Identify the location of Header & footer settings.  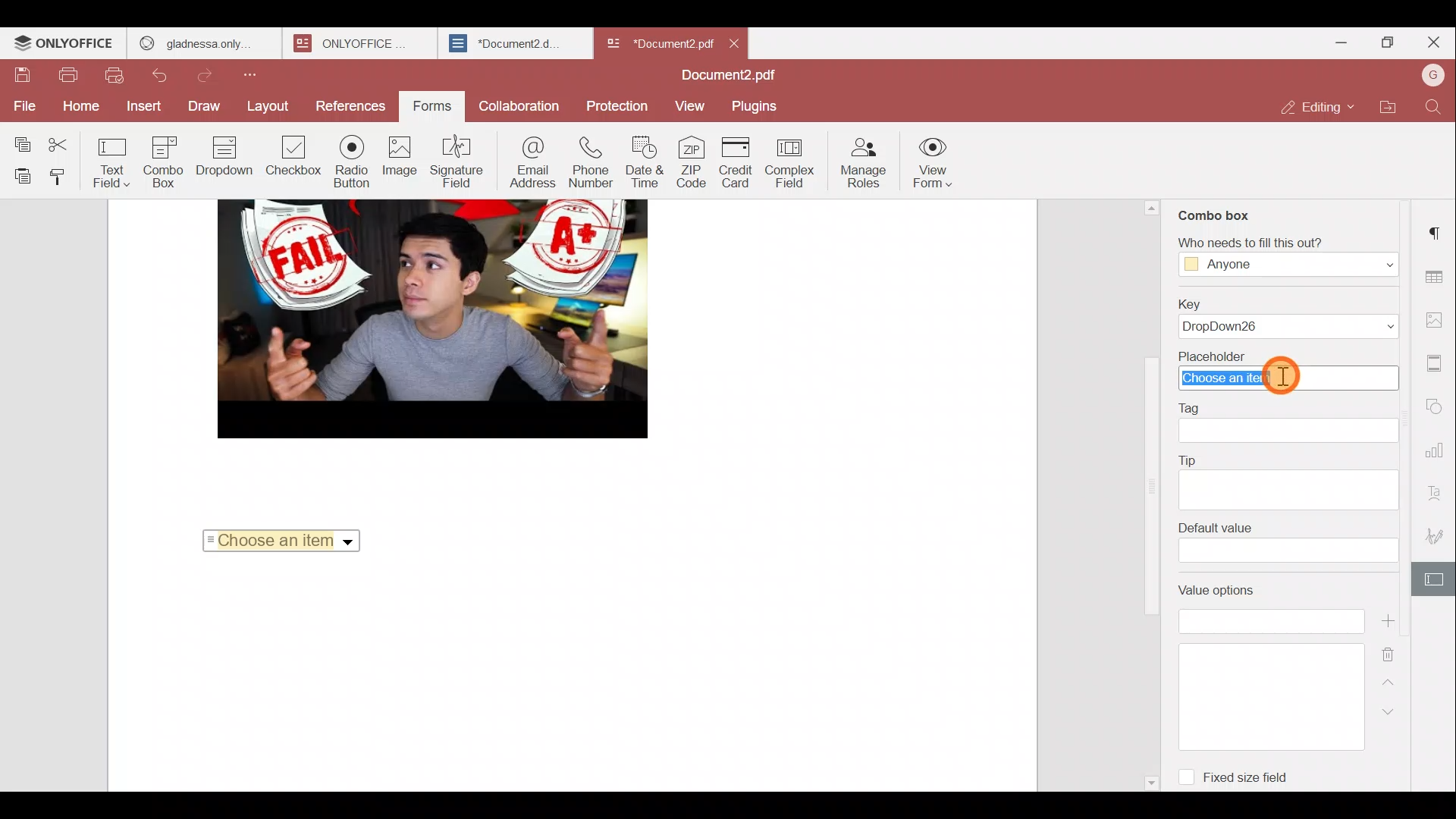
(1436, 364).